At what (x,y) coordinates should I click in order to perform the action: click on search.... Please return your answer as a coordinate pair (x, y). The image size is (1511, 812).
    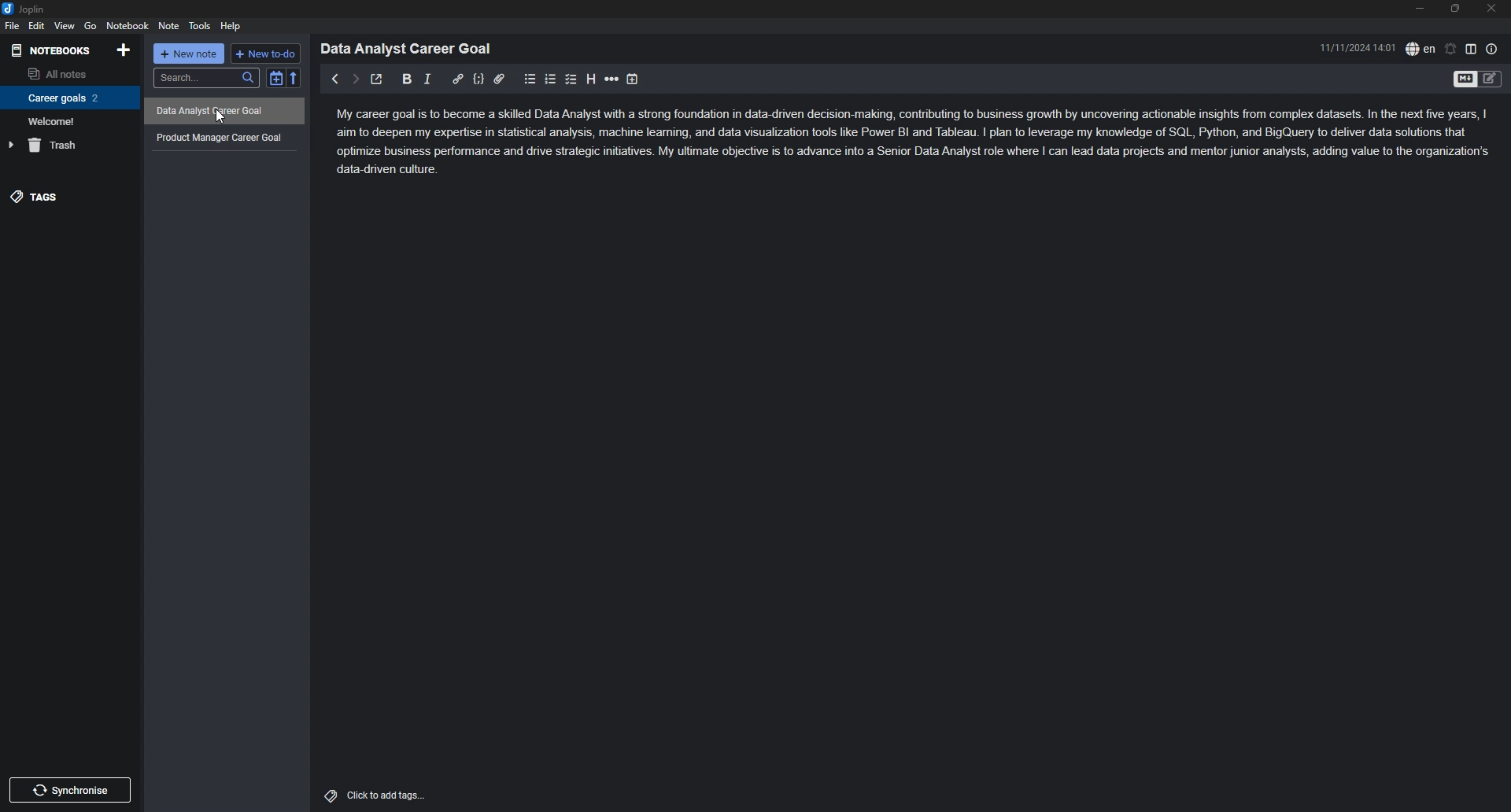
    Looking at the image, I should click on (205, 78).